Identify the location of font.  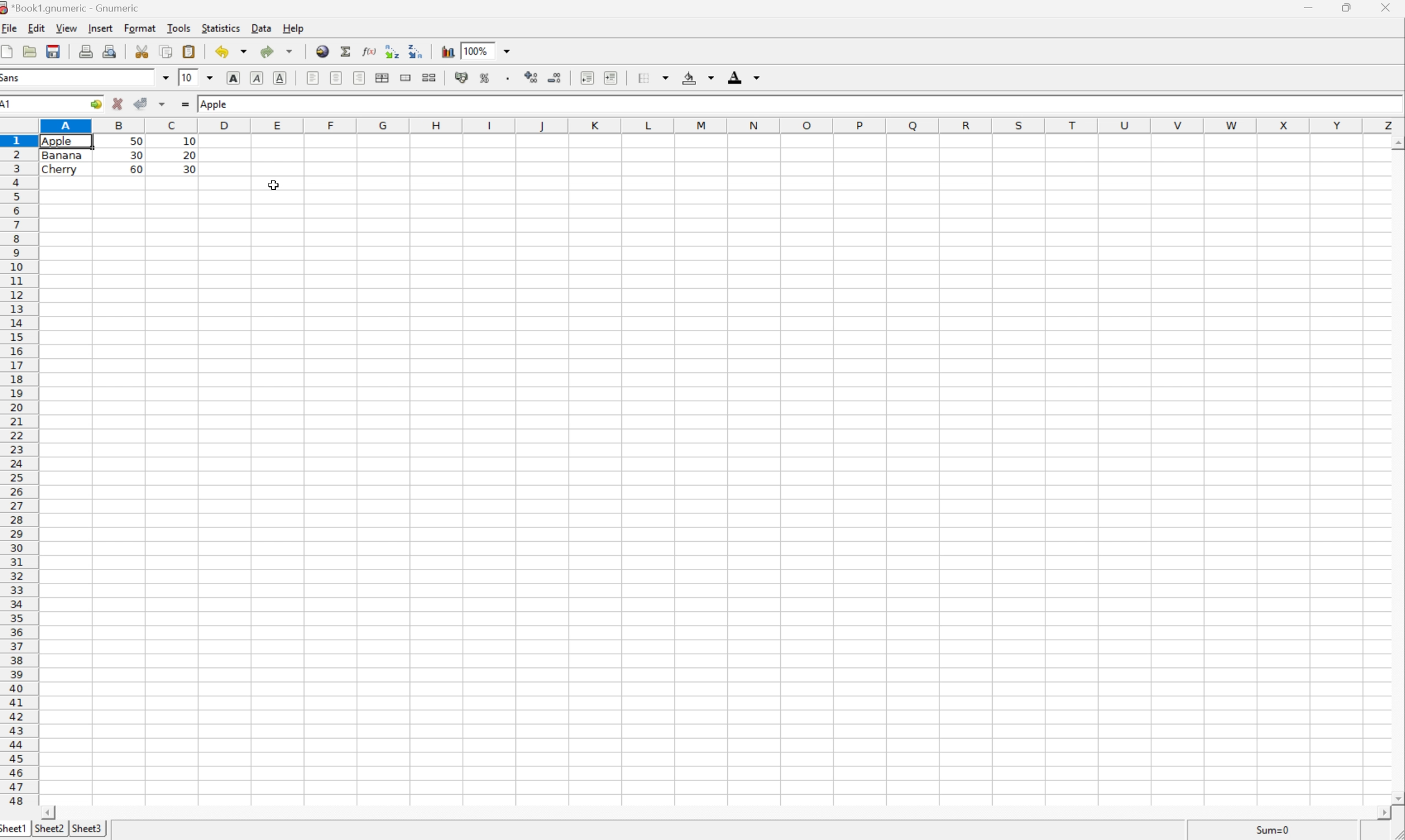
(13, 79).